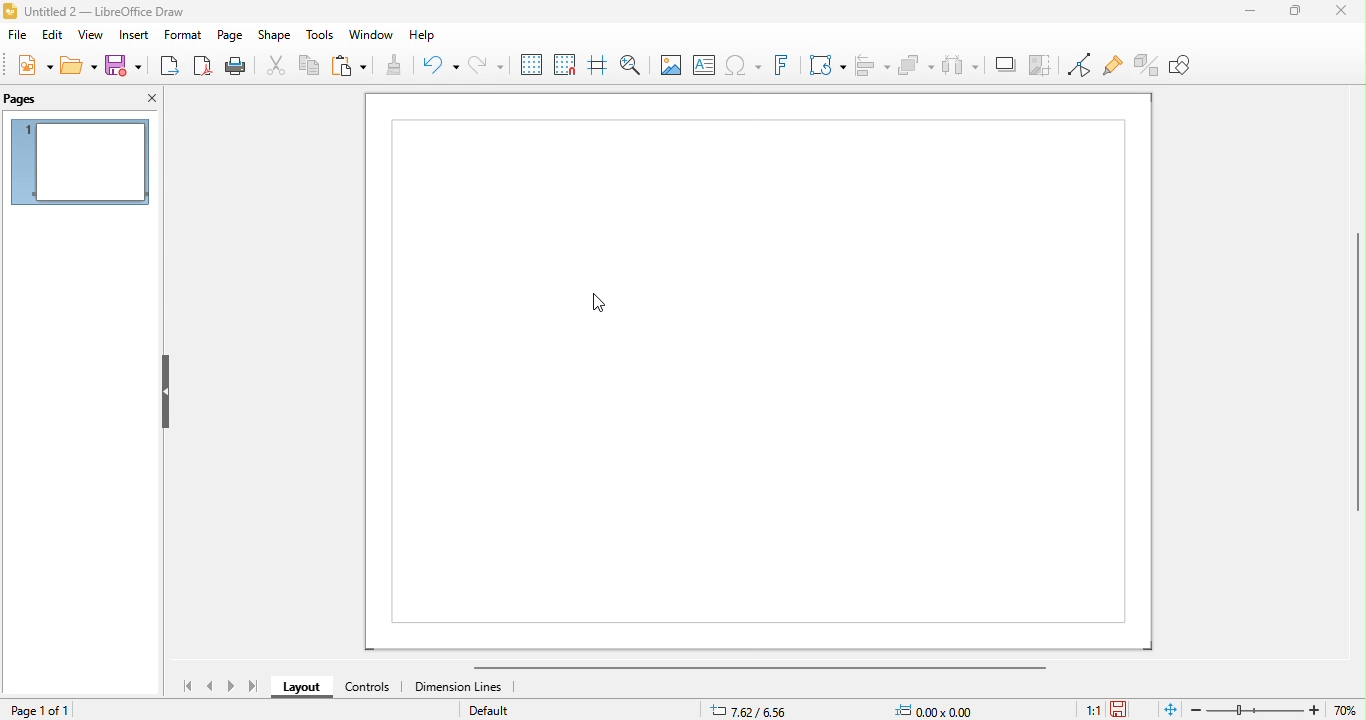 The image size is (1366, 720). Describe the element at coordinates (424, 36) in the screenshot. I see `help` at that location.